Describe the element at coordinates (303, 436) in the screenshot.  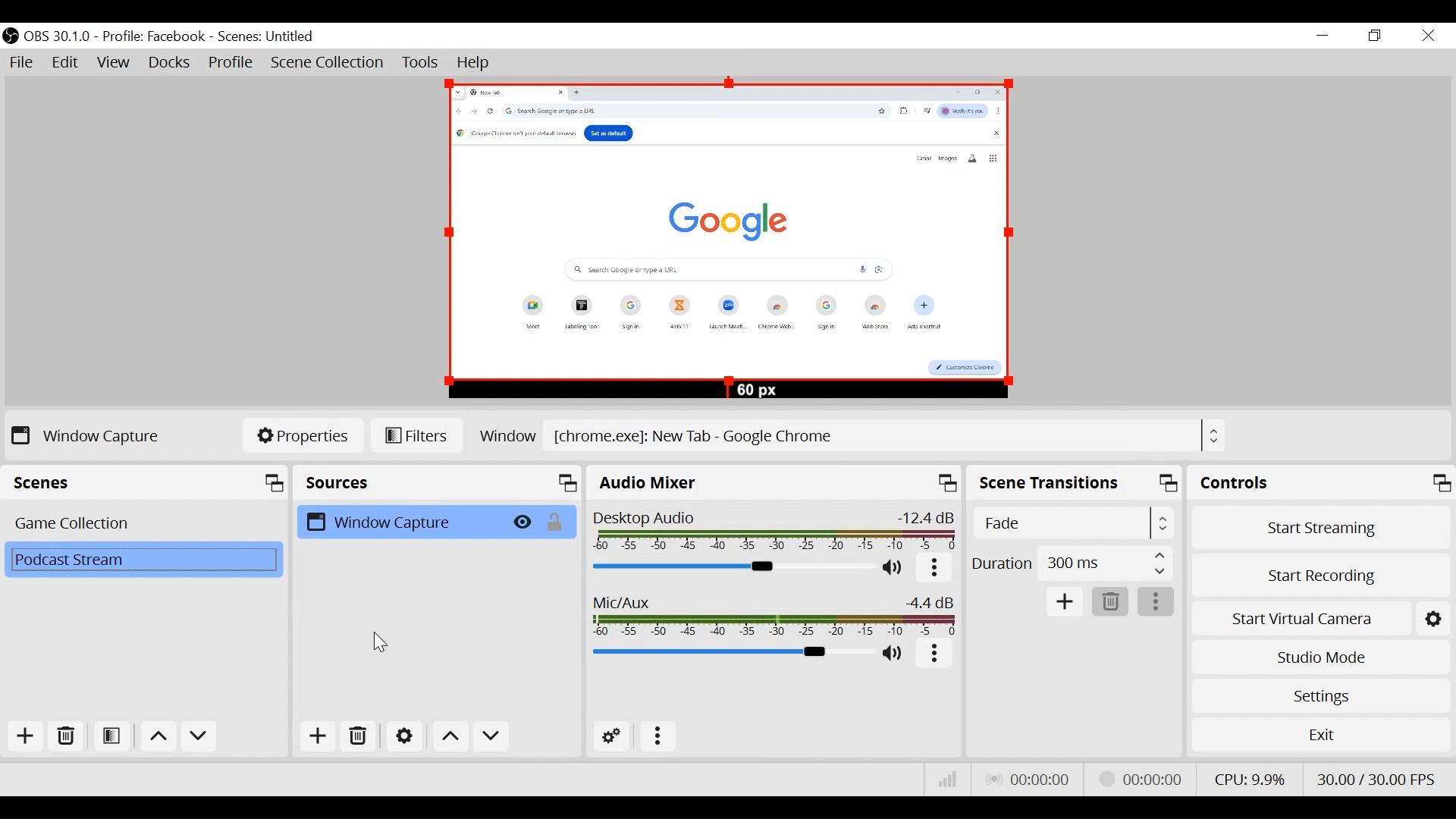
I see `Properties` at that location.